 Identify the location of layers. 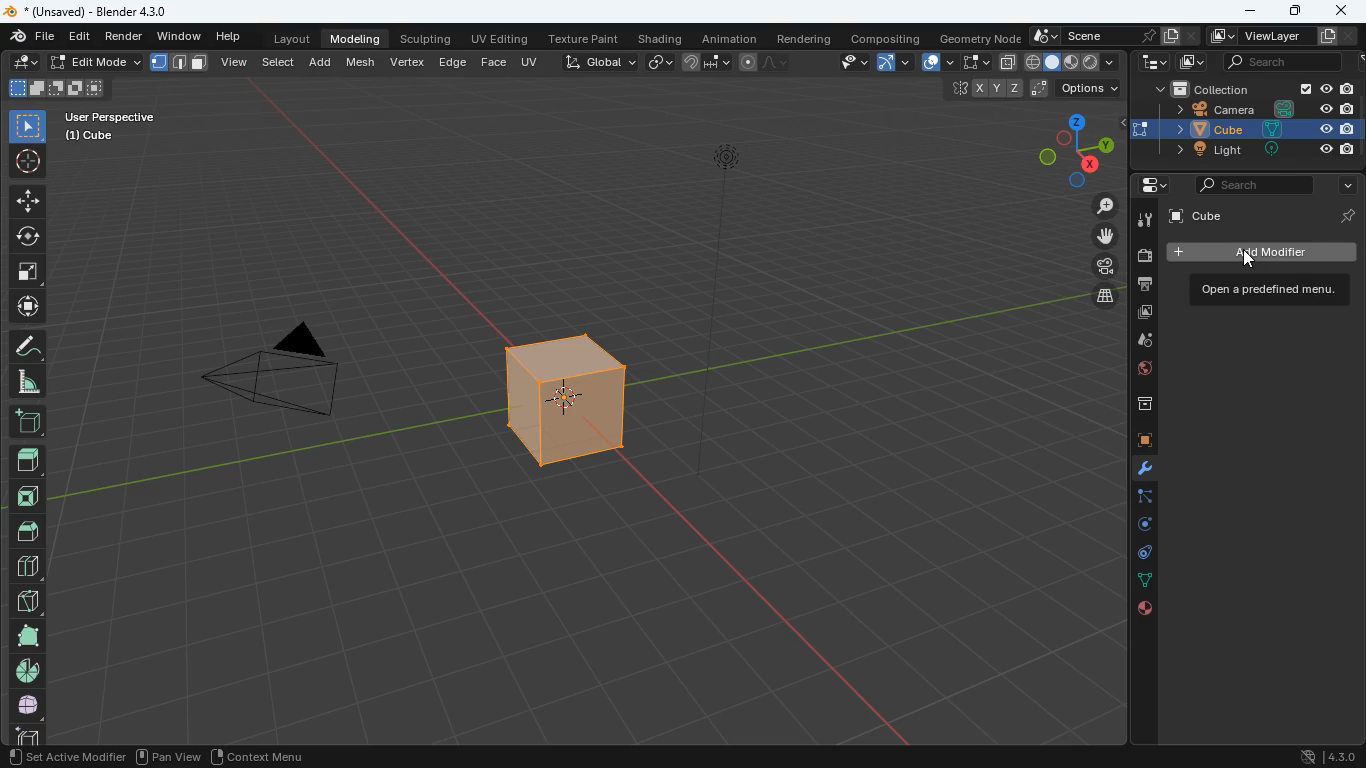
(1097, 296).